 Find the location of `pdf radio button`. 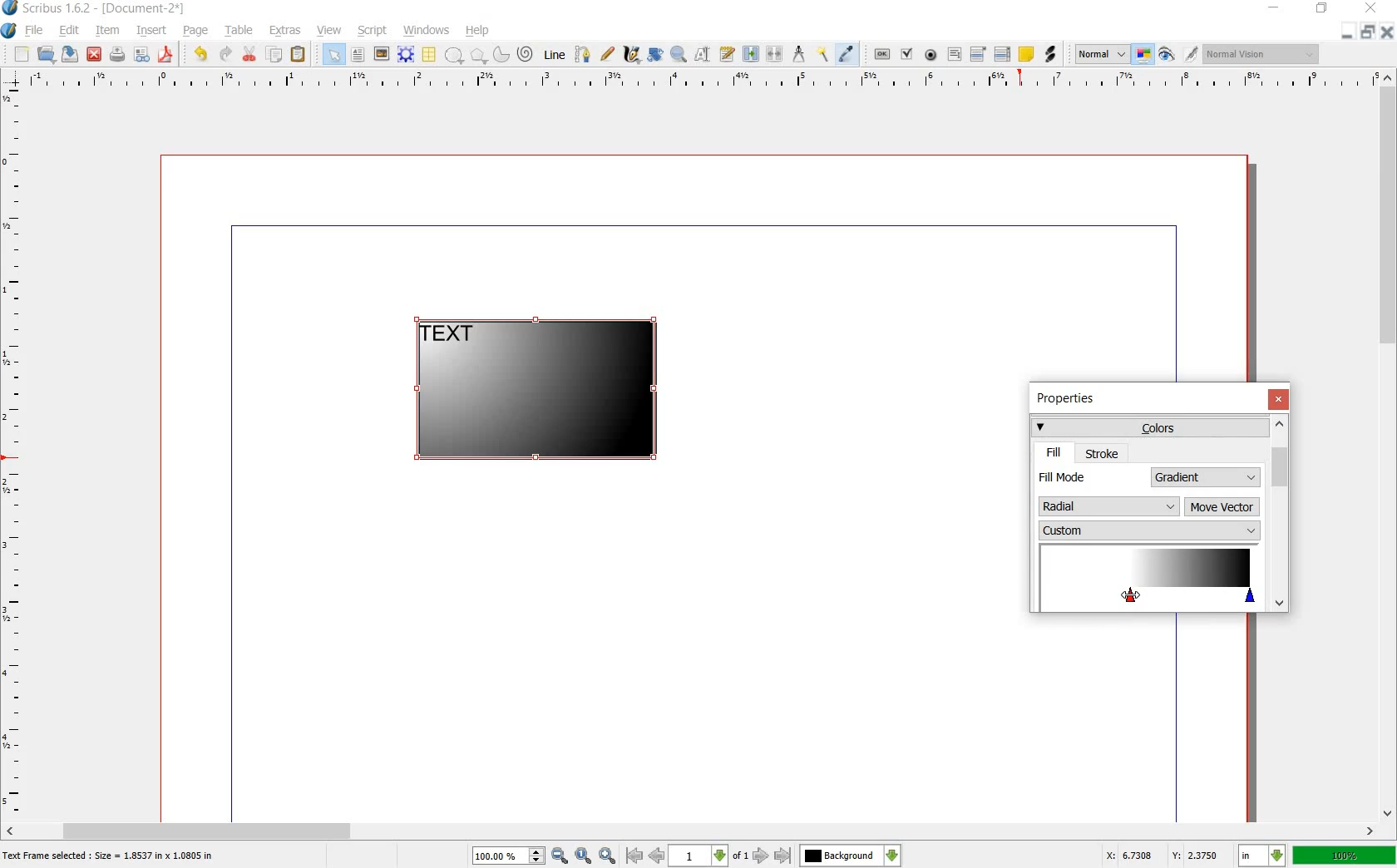

pdf radio button is located at coordinates (931, 55).